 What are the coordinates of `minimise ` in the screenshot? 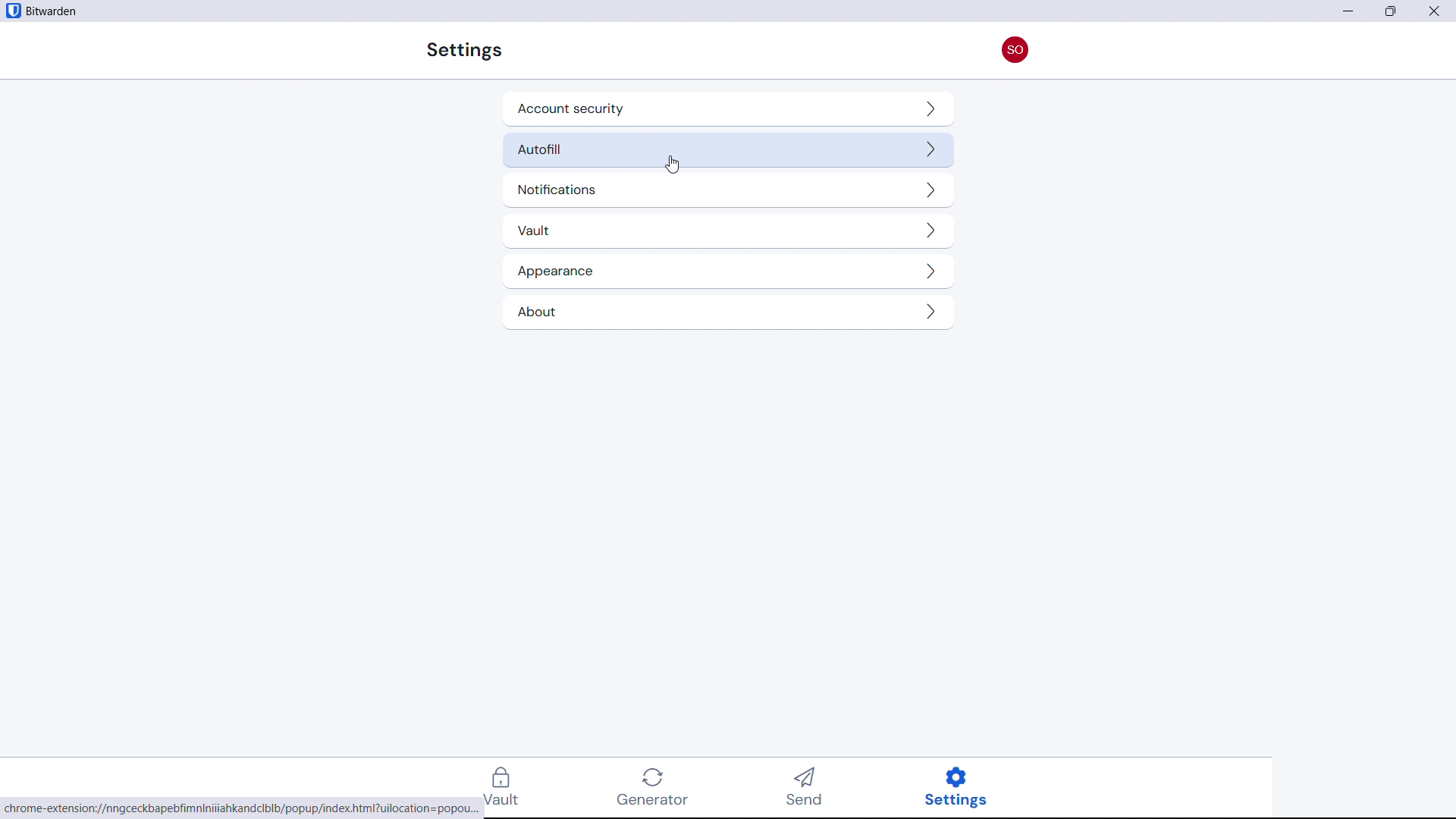 It's located at (1347, 11).